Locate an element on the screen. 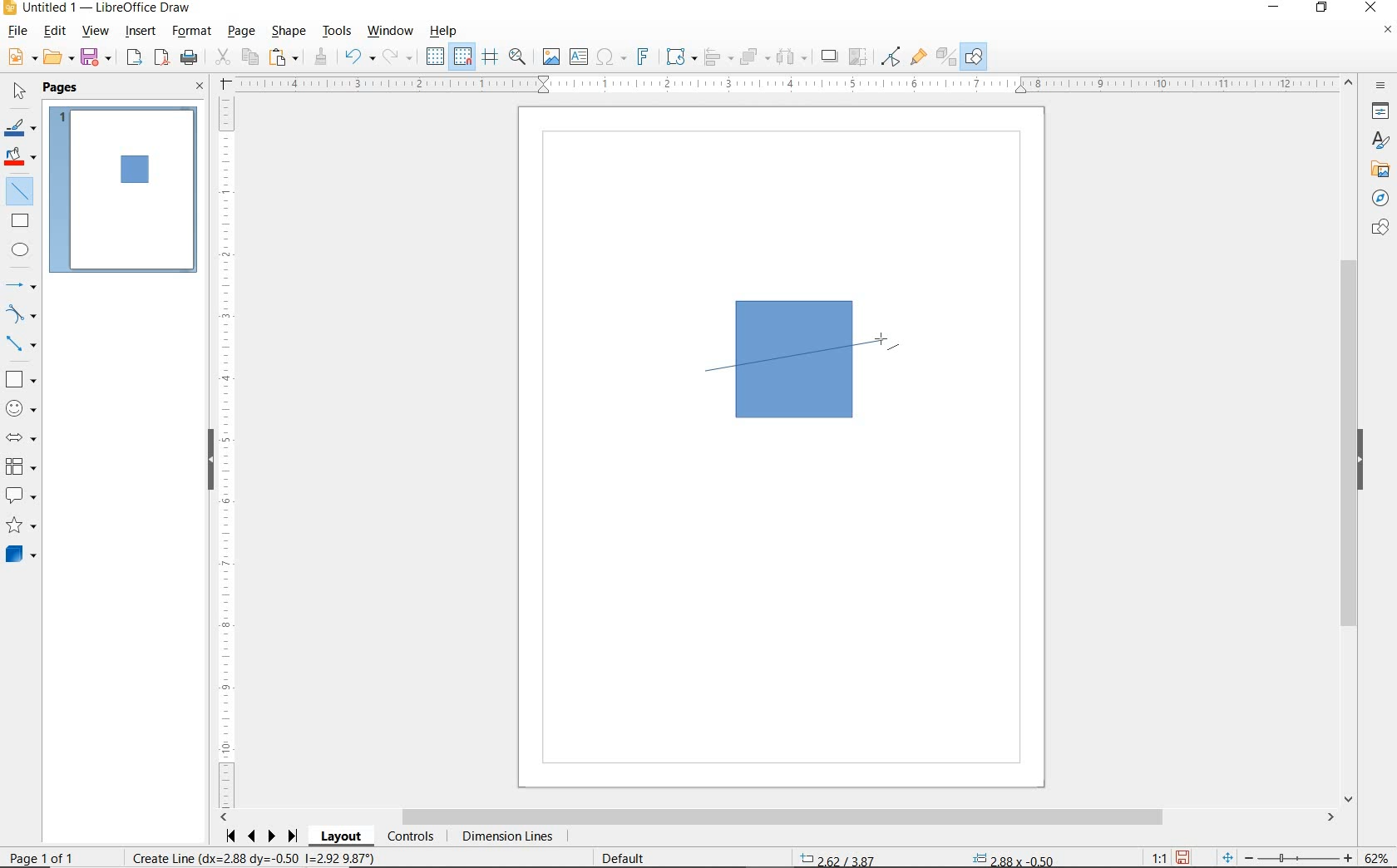  STYLES is located at coordinates (1376, 141).